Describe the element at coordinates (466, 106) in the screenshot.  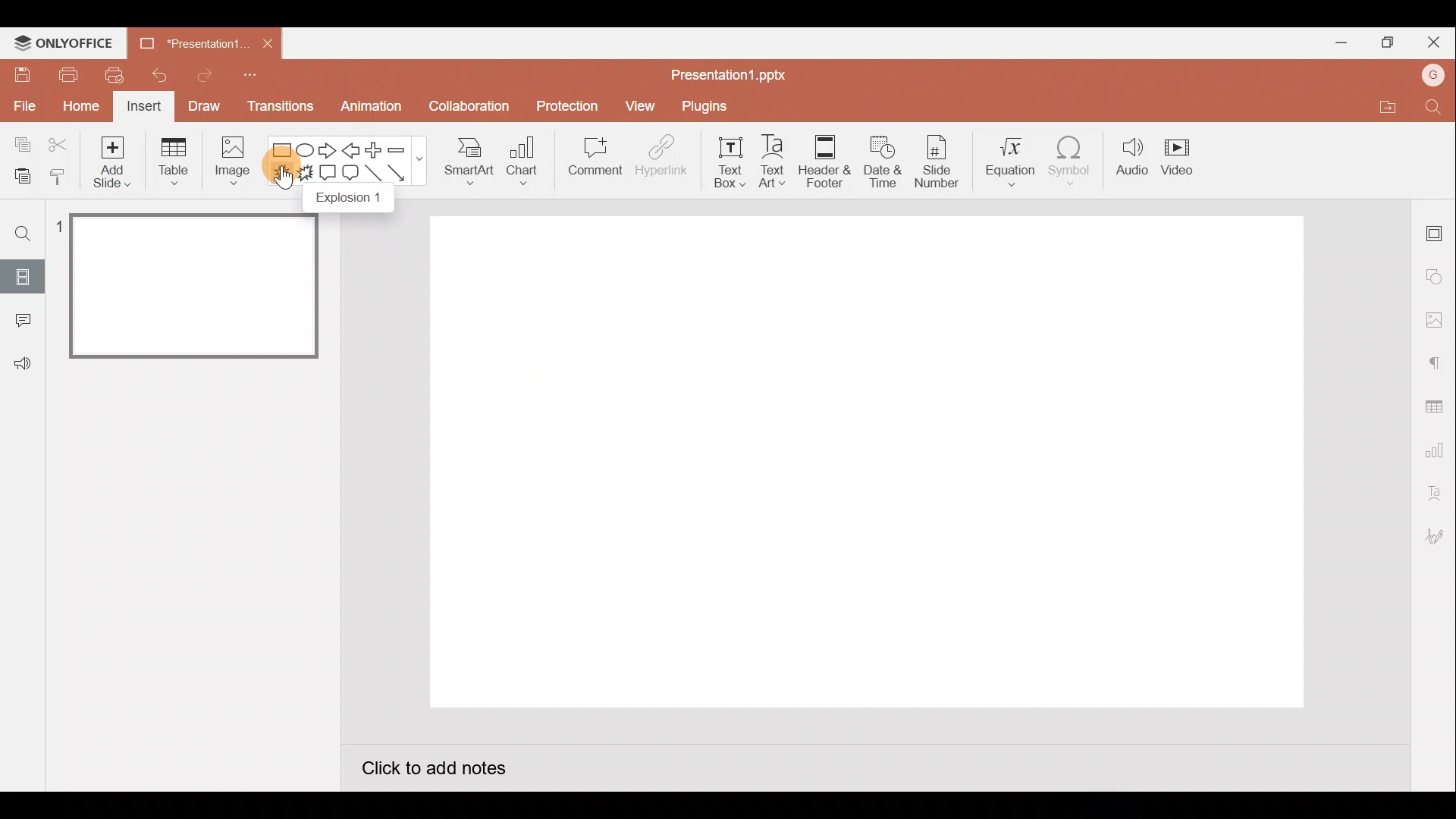
I see `Collaboration` at that location.